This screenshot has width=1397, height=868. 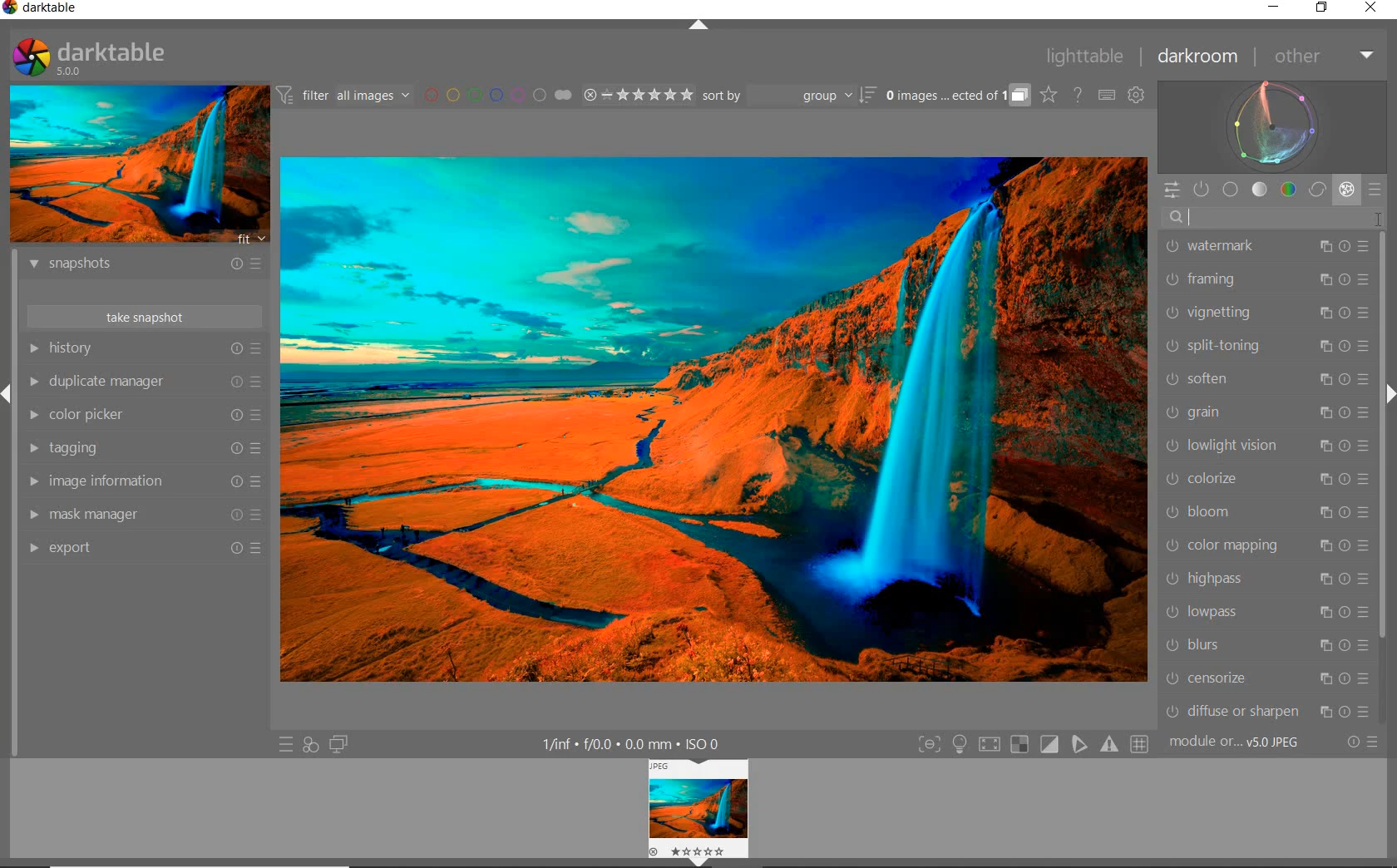 I want to click on effect, so click(x=1344, y=189).